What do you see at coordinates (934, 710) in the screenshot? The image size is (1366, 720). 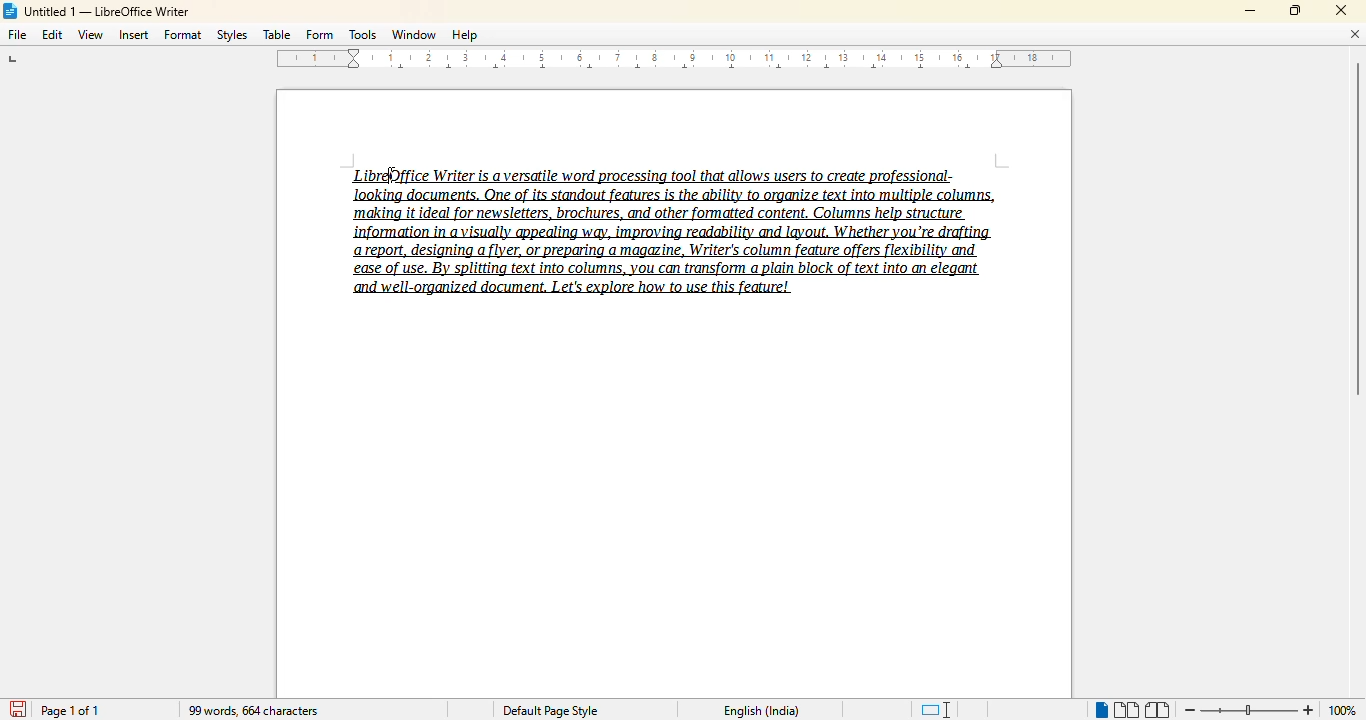 I see `standard selection` at bounding box center [934, 710].